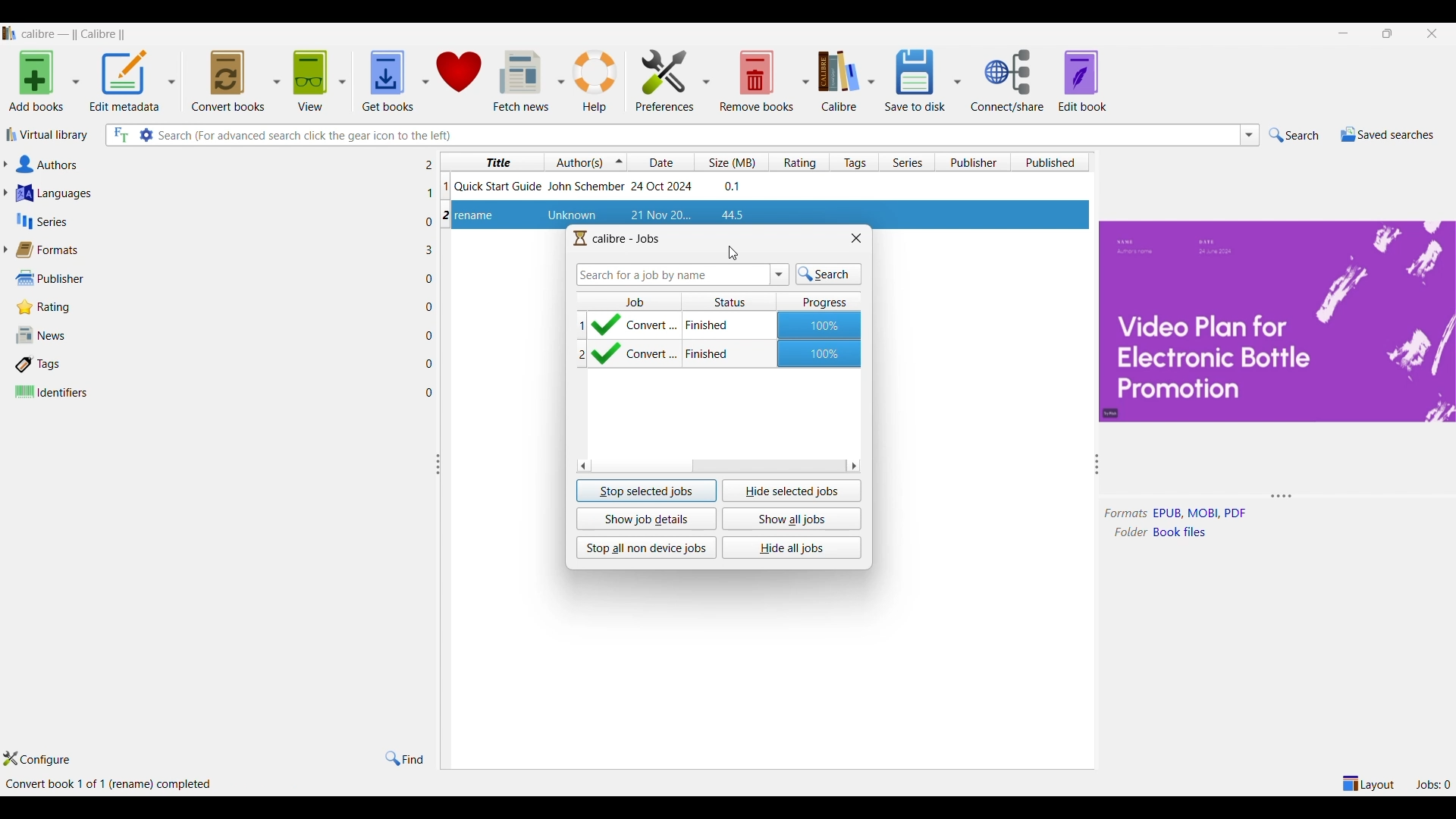 The width and height of the screenshot is (1456, 819). I want to click on Languages , so click(215, 193).